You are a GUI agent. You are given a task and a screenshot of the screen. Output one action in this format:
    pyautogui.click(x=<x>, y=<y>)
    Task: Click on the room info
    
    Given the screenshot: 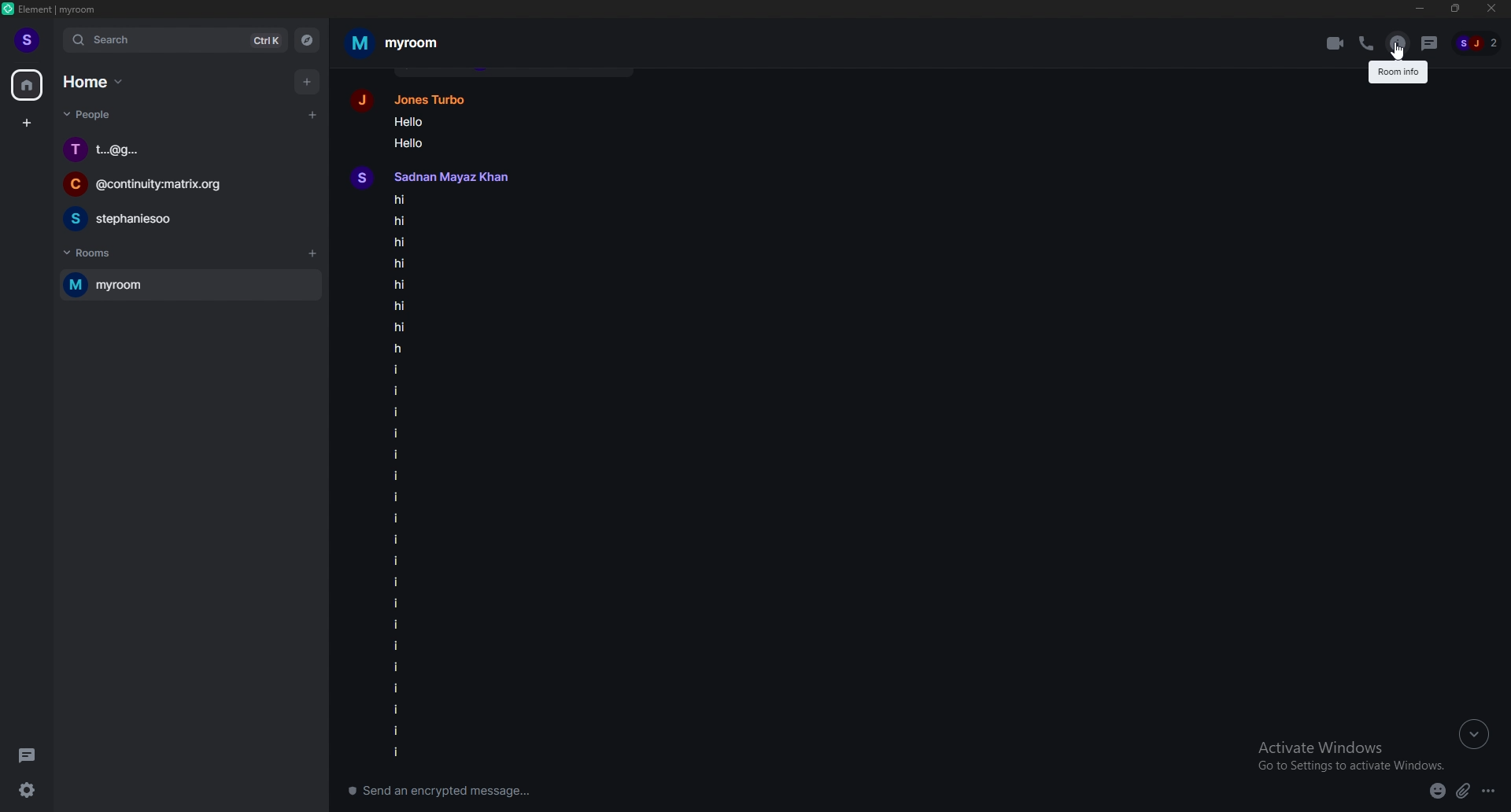 What is the action you would take?
    pyautogui.click(x=1397, y=43)
    